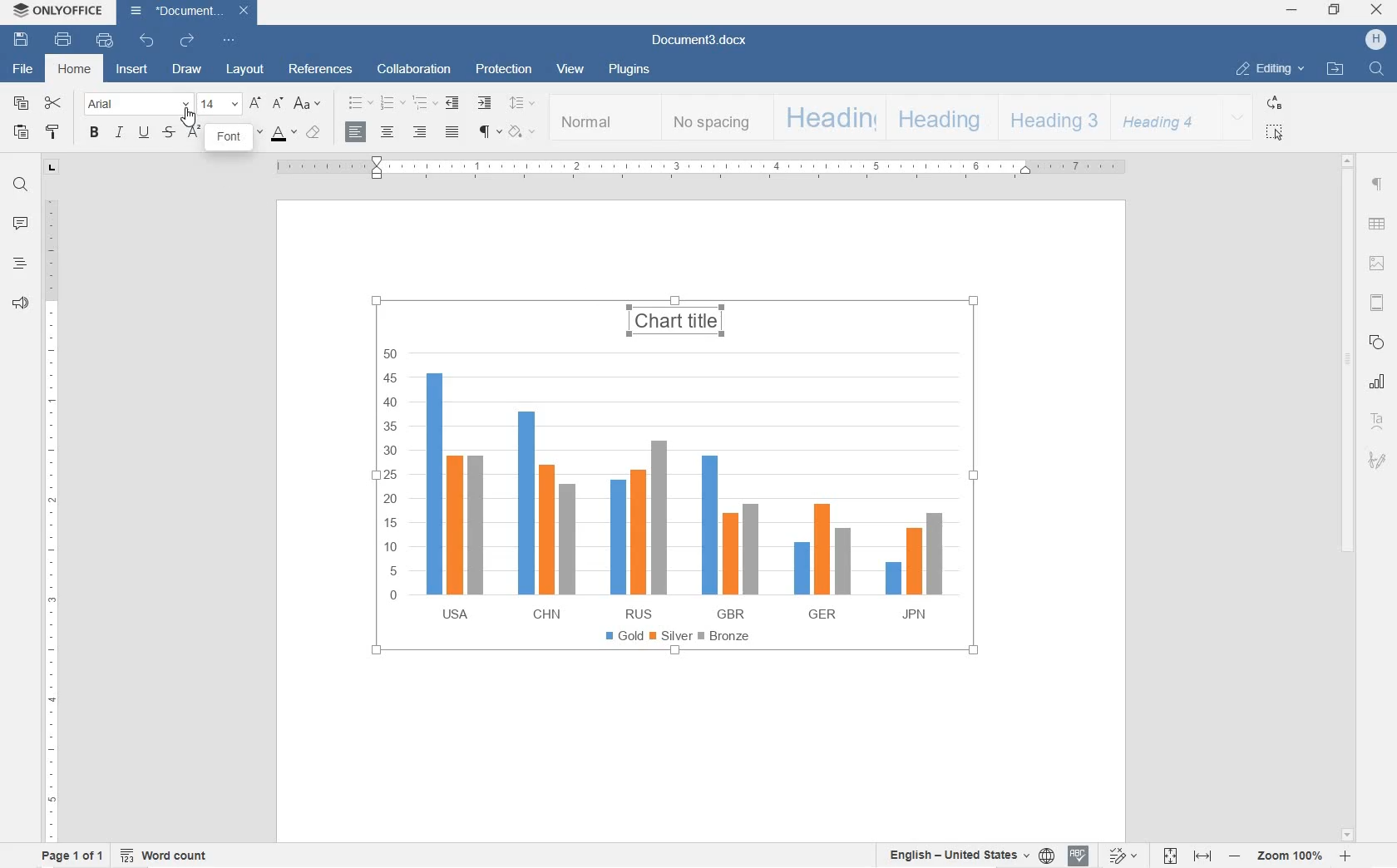 Image resolution: width=1397 pixels, height=868 pixels. I want to click on PROTECTION, so click(501, 69).